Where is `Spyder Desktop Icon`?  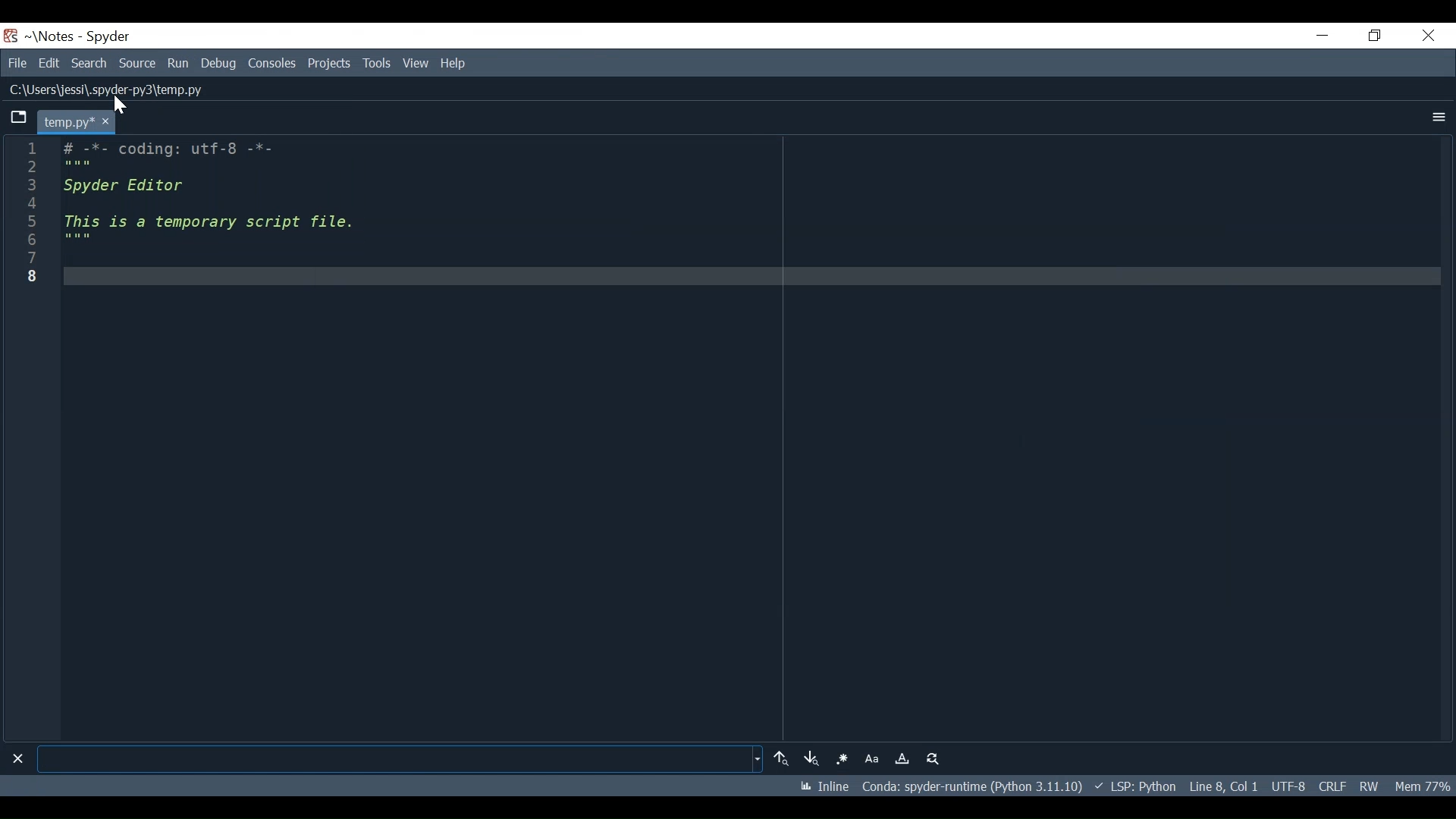
Spyder Desktop Icon is located at coordinates (12, 36).